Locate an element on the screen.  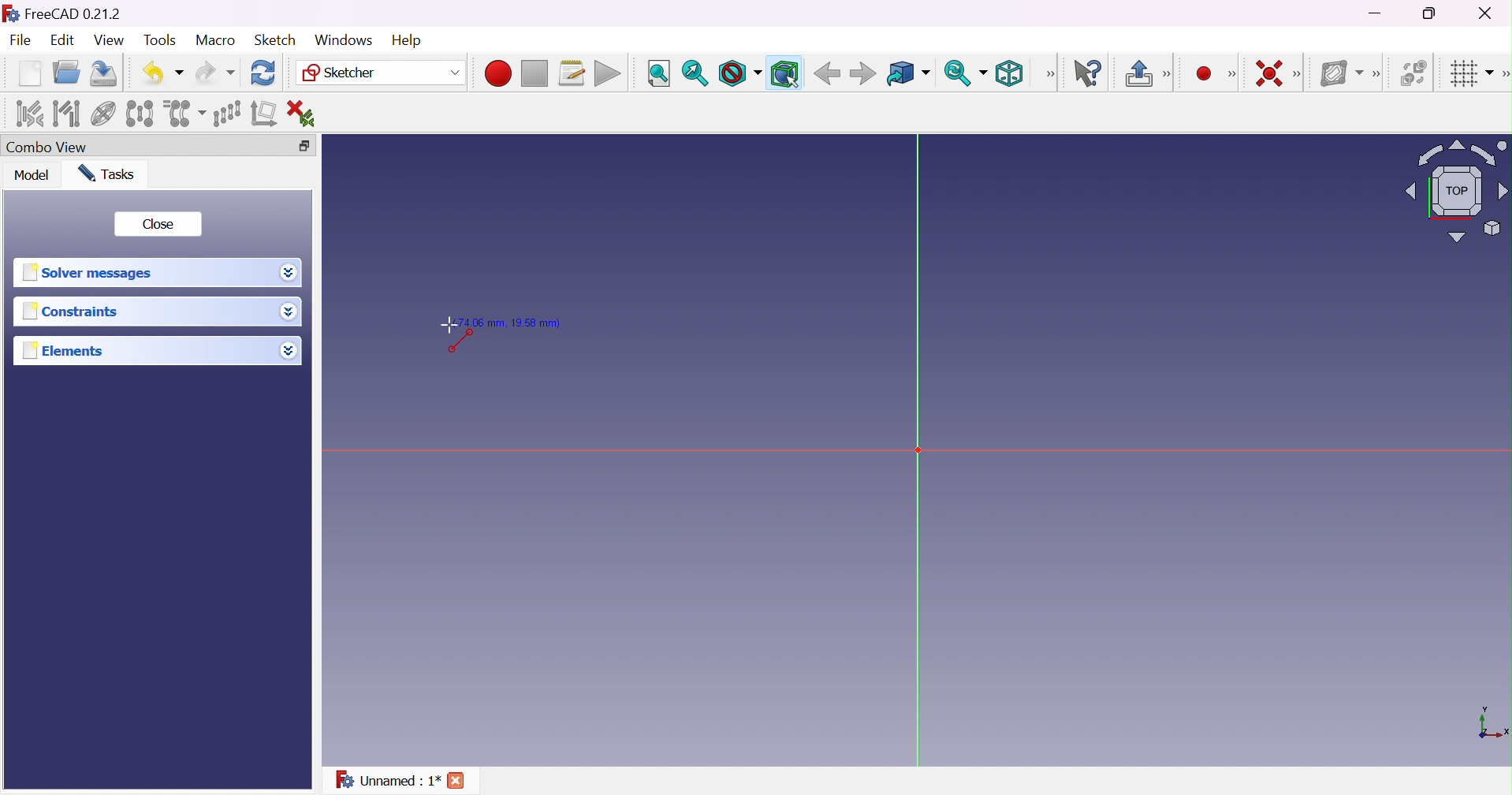
Help is located at coordinates (406, 39).